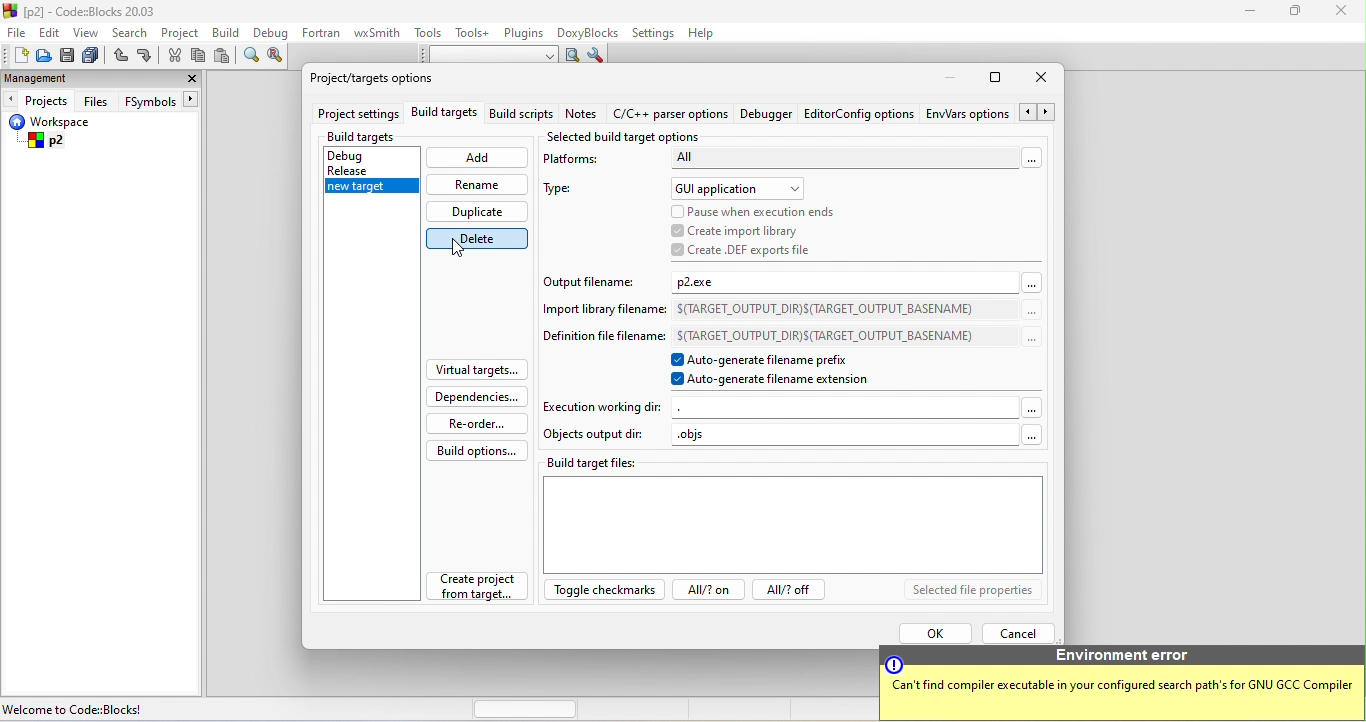 The image size is (1366, 722). What do you see at coordinates (15, 55) in the screenshot?
I see `new` at bounding box center [15, 55].